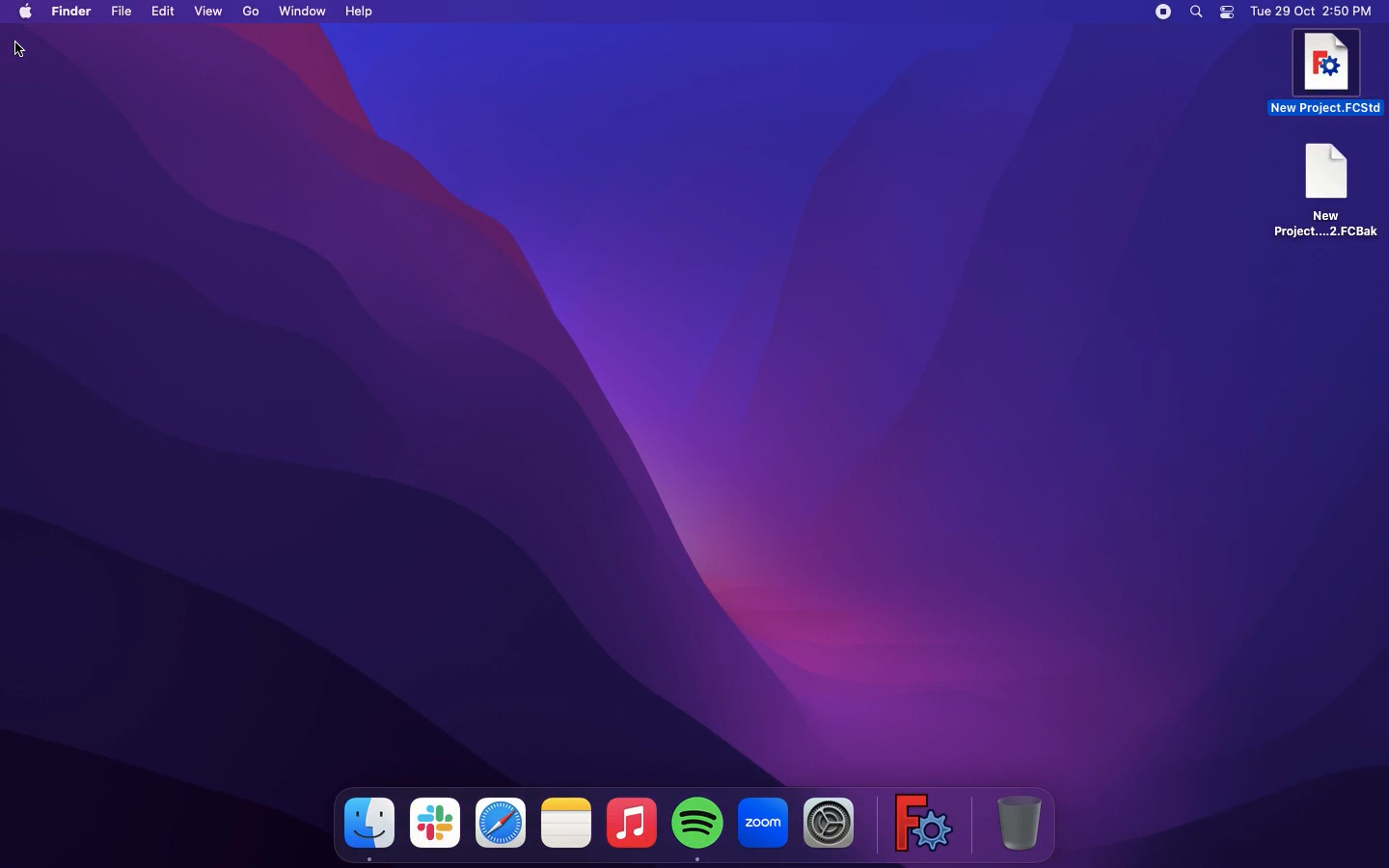 This screenshot has width=1389, height=868. Describe the element at coordinates (501, 822) in the screenshot. I see `Safari` at that location.